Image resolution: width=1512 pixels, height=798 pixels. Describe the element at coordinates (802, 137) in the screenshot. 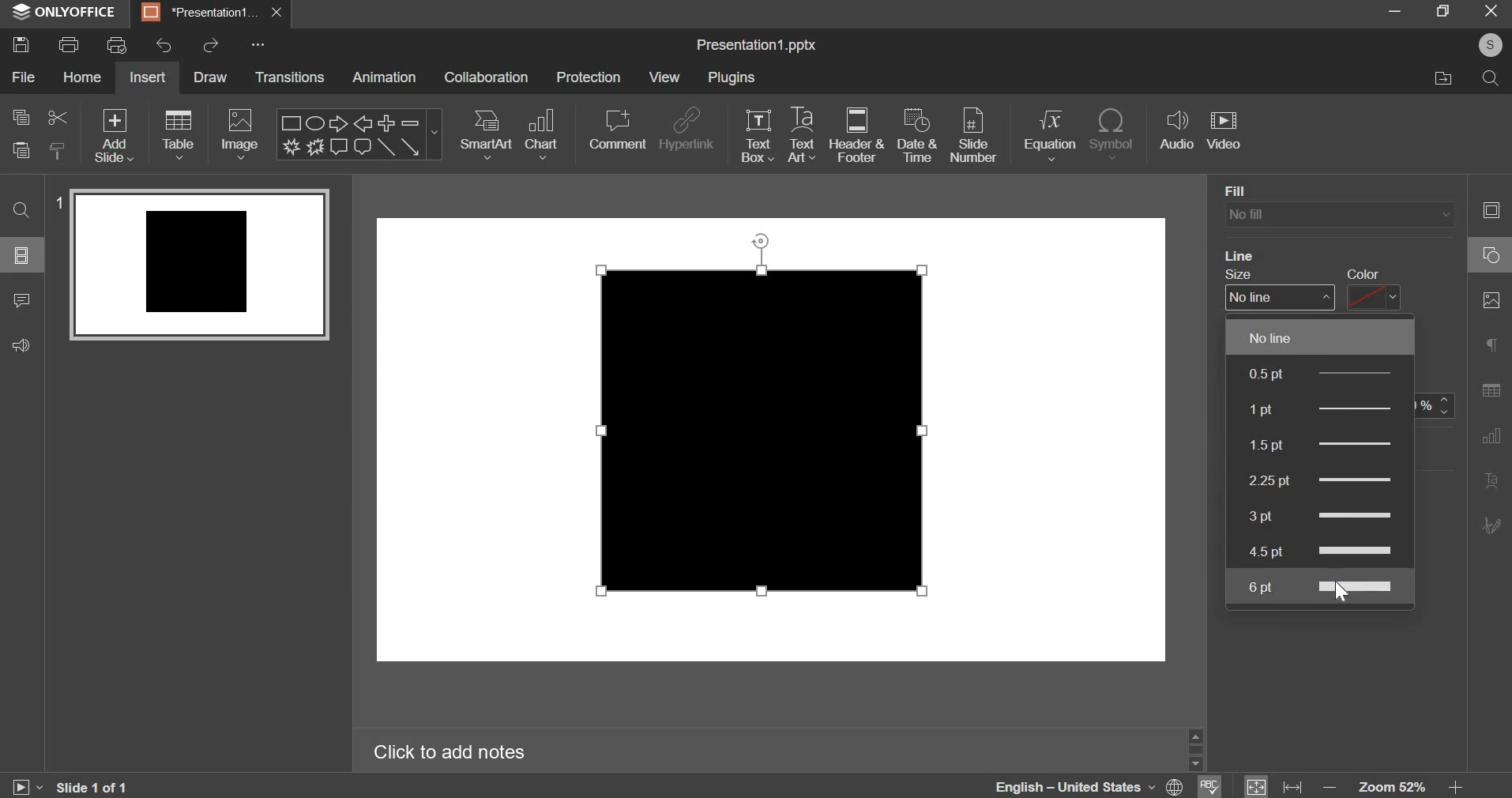

I see `text art` at that location.